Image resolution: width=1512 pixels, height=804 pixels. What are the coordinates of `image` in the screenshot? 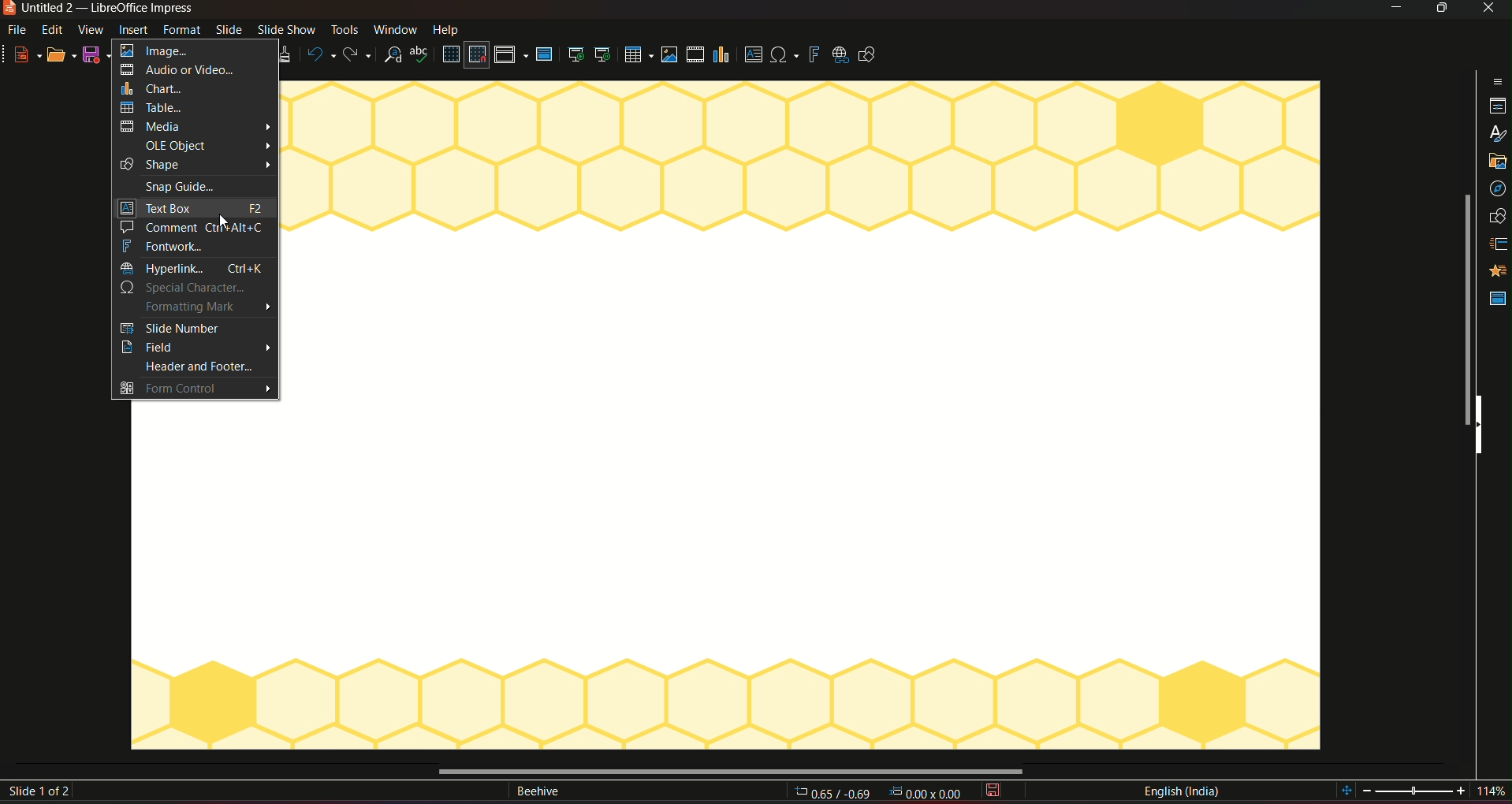 It's located at (189, 50).